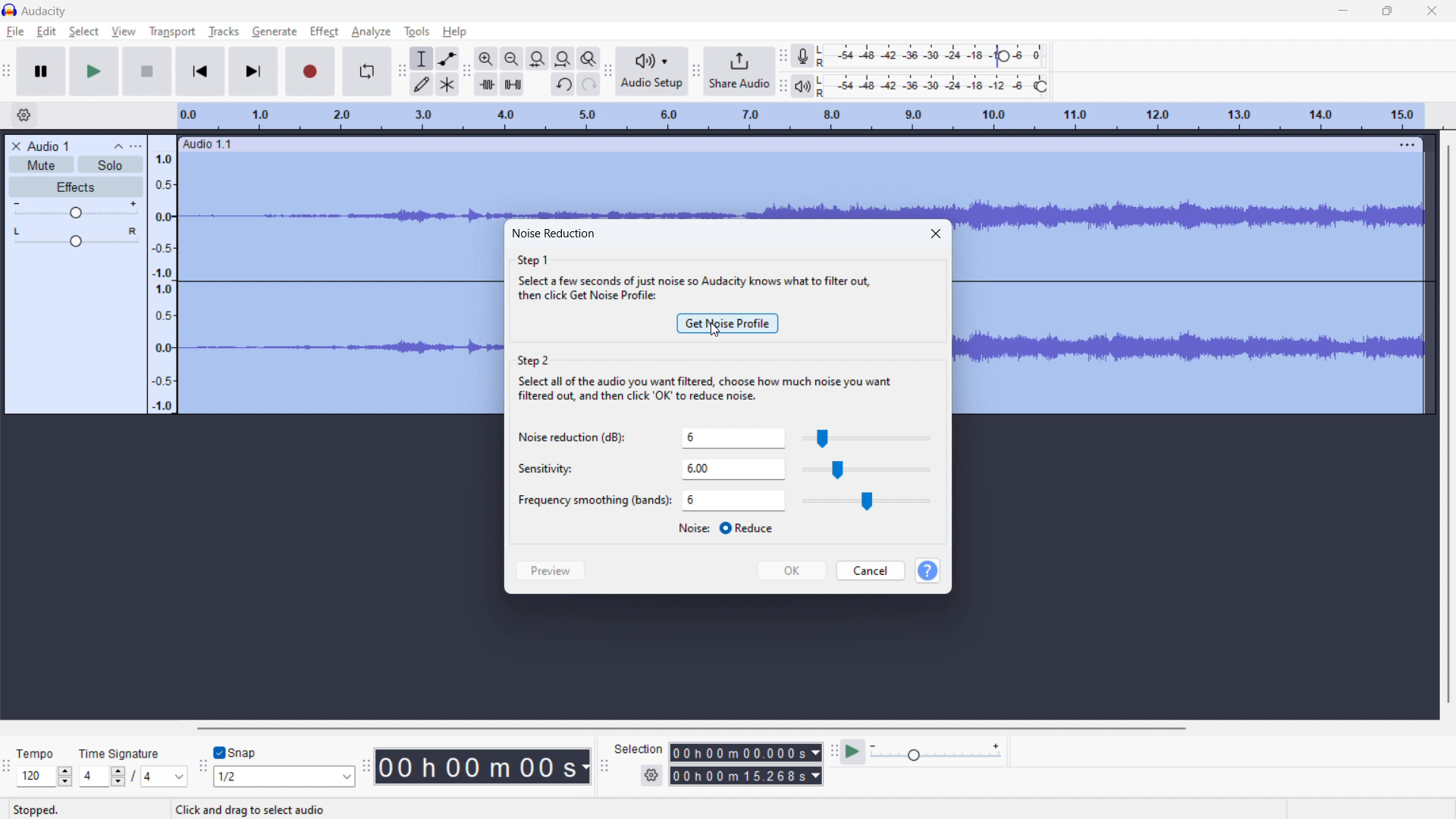 The width and height of the screenshot is (1456, 819). I want to click on trim audio outside selection, so click(486, 84).